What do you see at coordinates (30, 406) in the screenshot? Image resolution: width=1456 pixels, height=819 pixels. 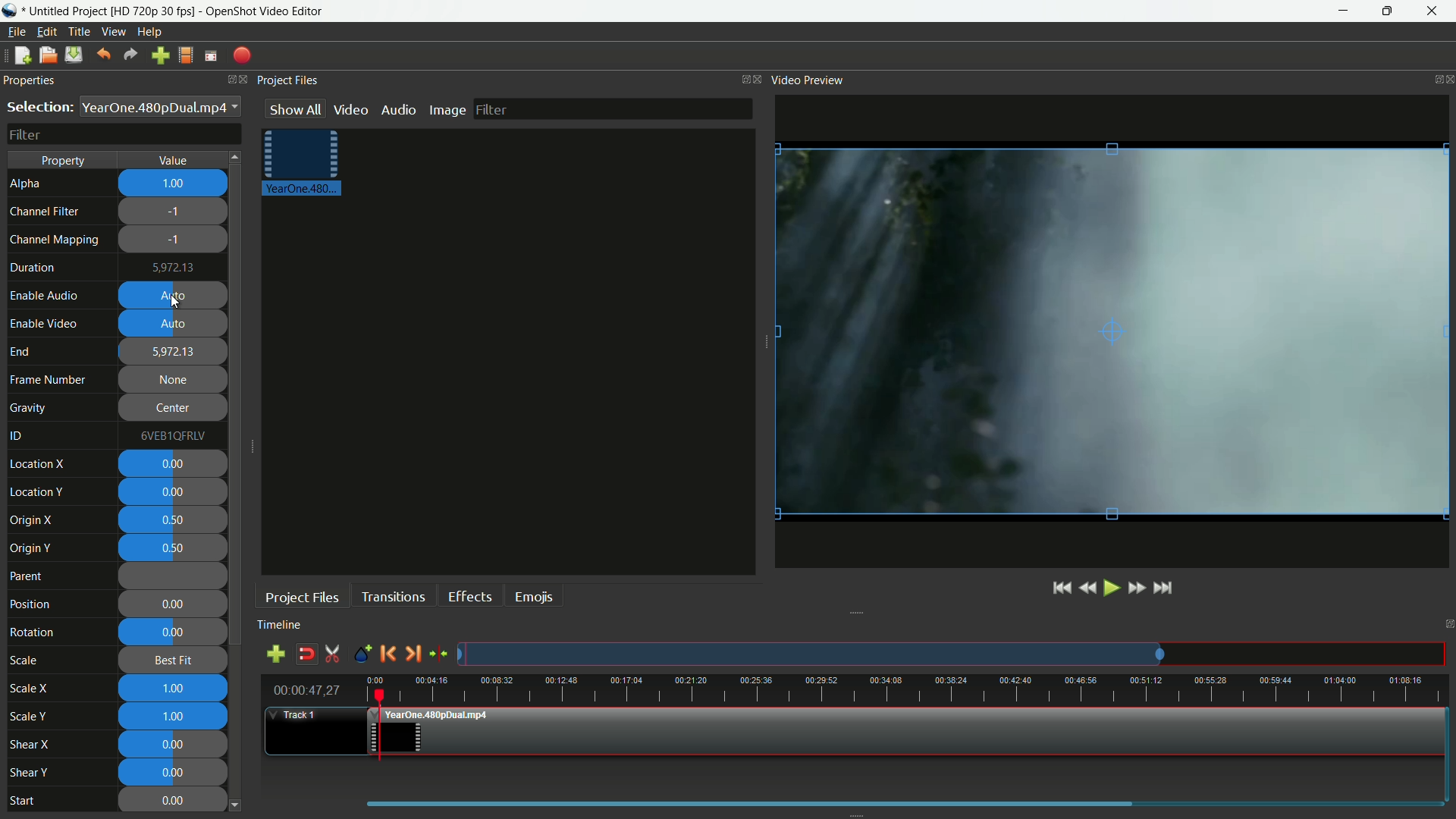 I see `gravity` at bounding box center [30, 406].